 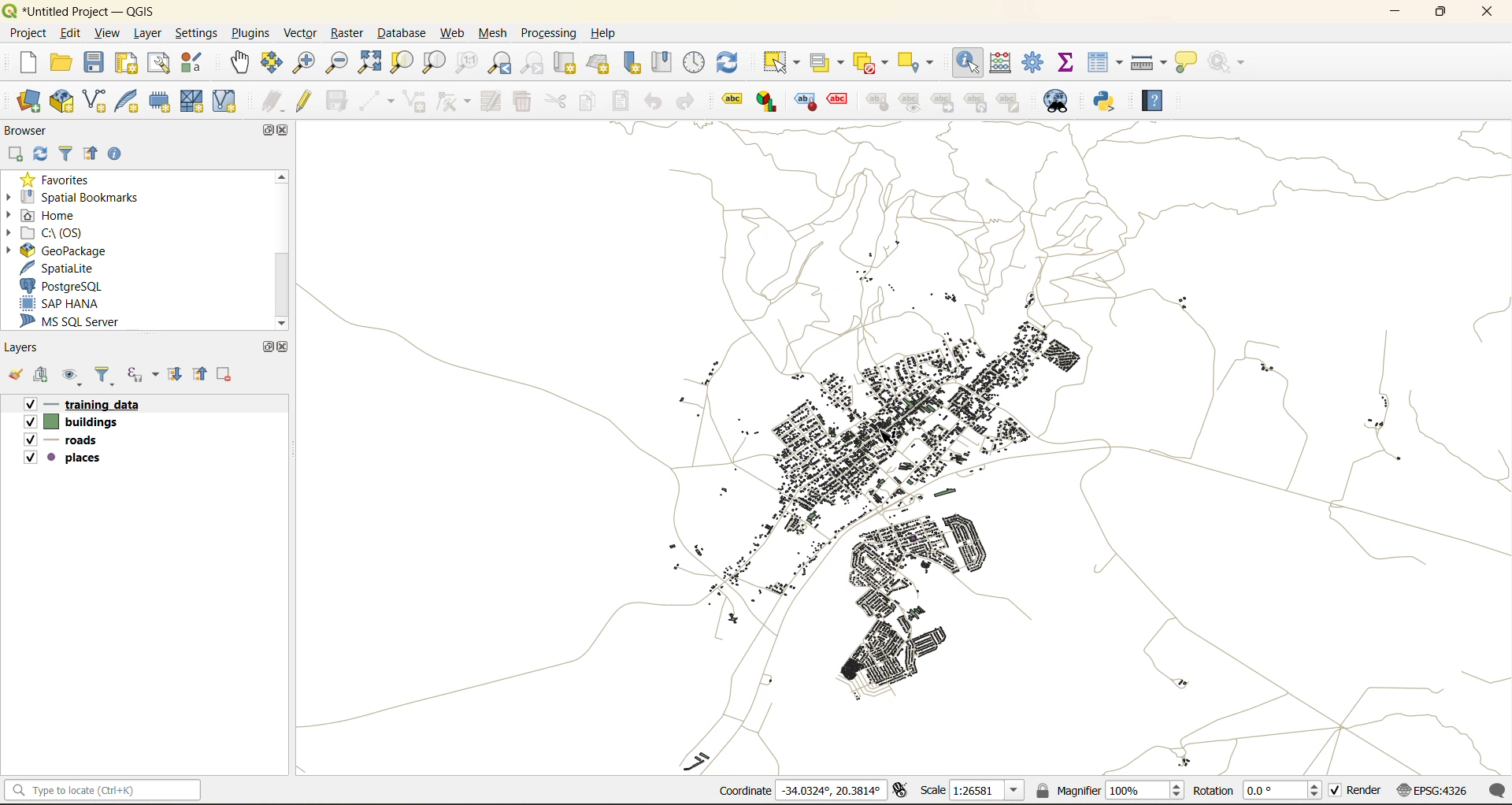 What do you see at coordinates (404, 62) in the screenshot?
I see `zoom selection` at bounding box center [404, 62].